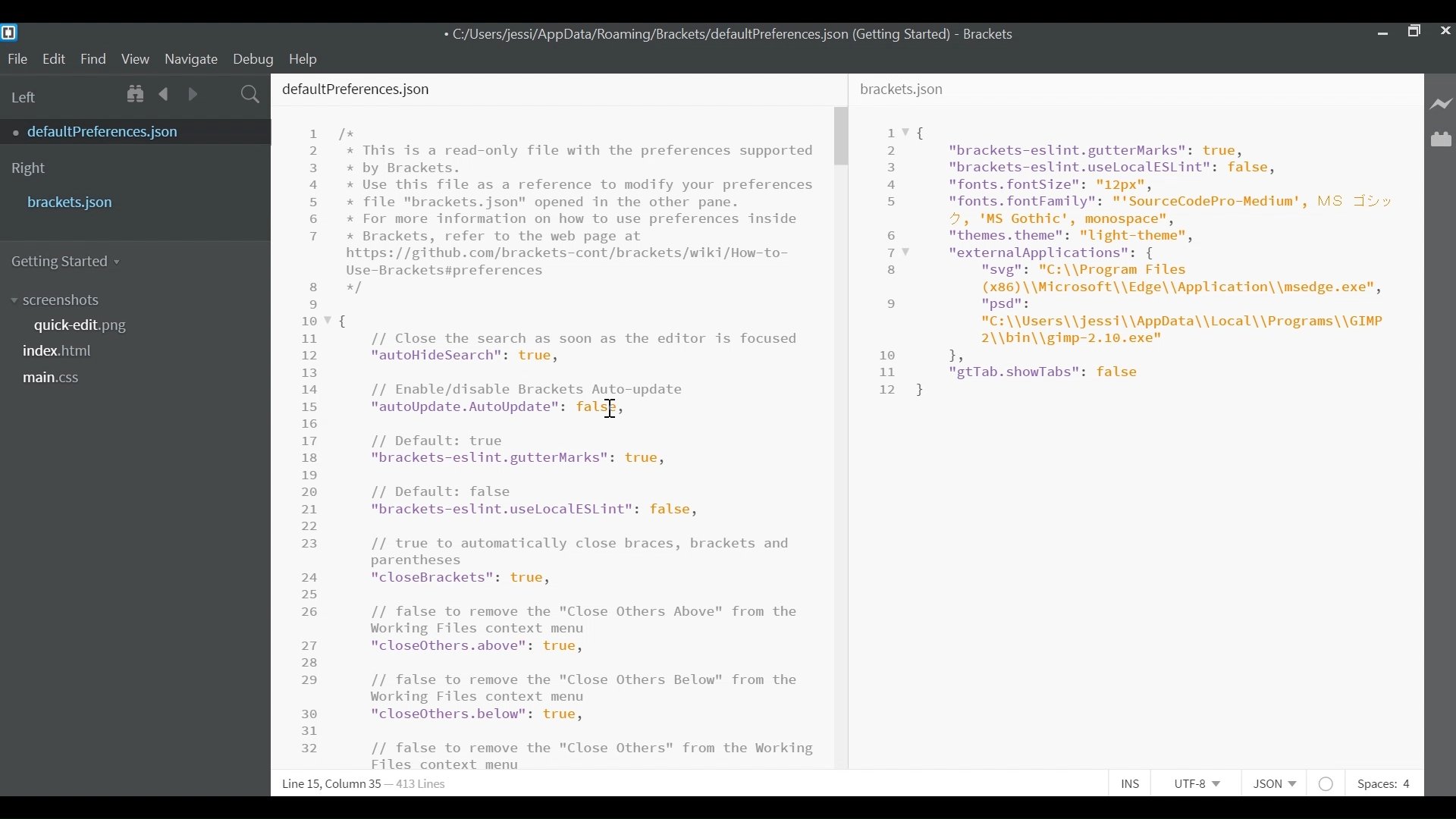  Describe the element at coordinates (73, 262) in the screenshot. I see `Getting Started` at that location.